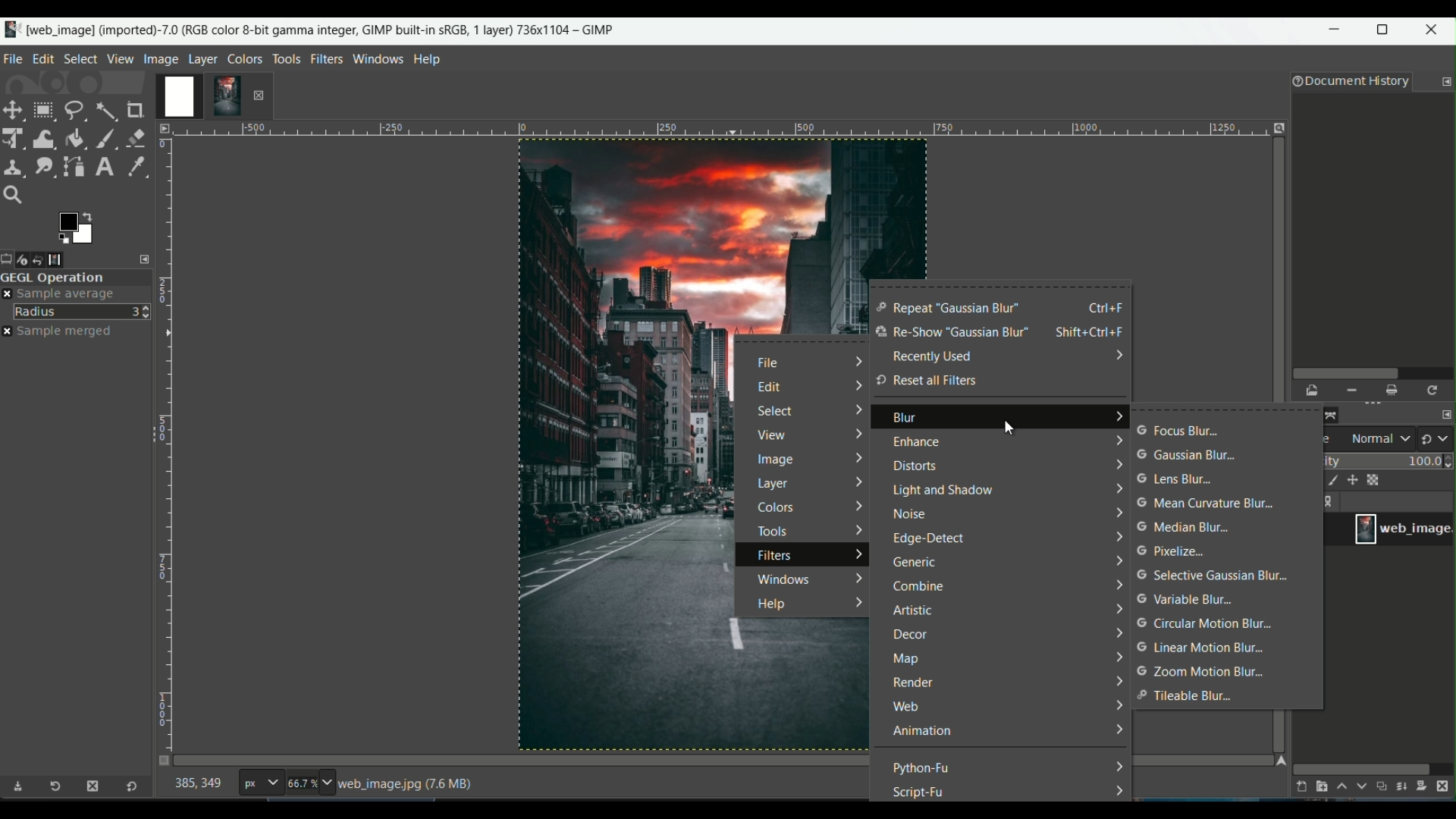 This screenshot has height=819, width=1456. I want to click on width measuring scale, so click(717, 133).